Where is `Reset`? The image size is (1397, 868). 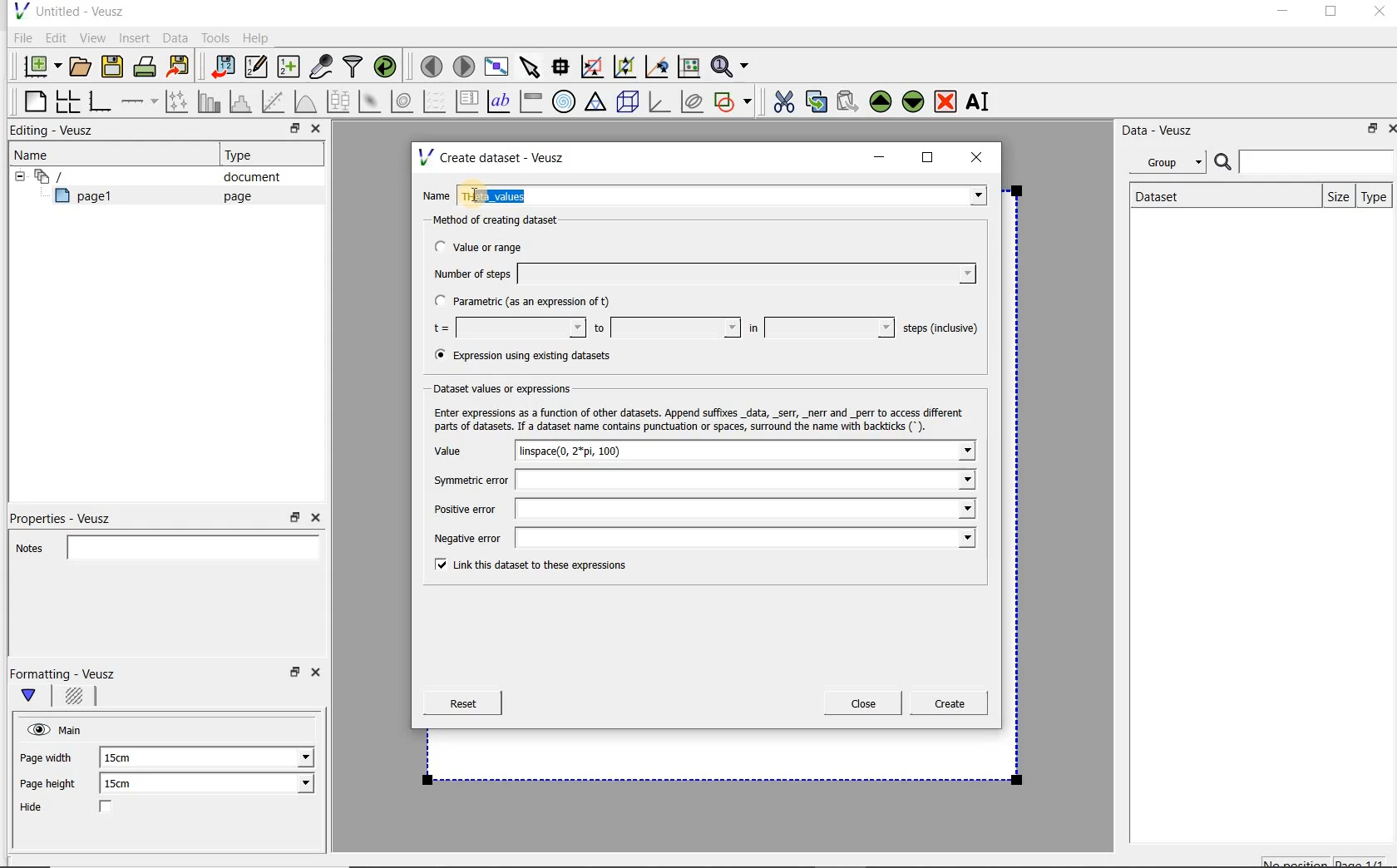 Reset is located at coordinates (462, 703).